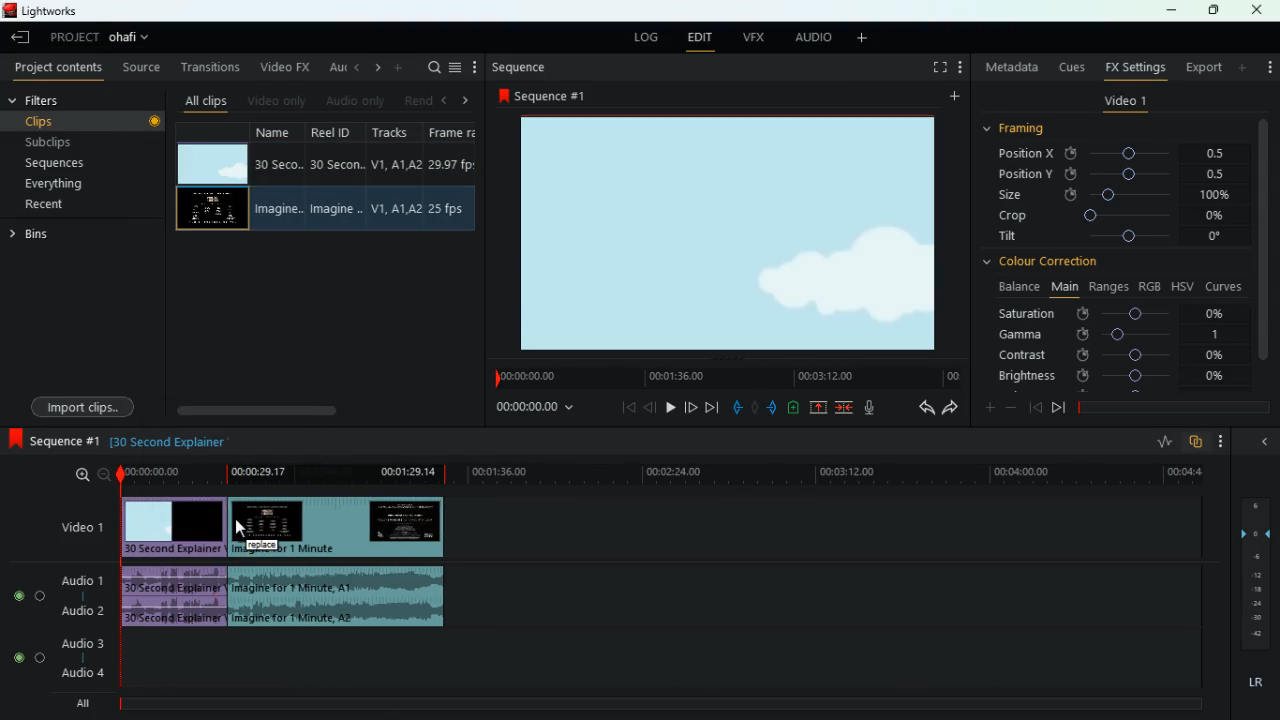  I want to click on audio only, so click(354, 102).